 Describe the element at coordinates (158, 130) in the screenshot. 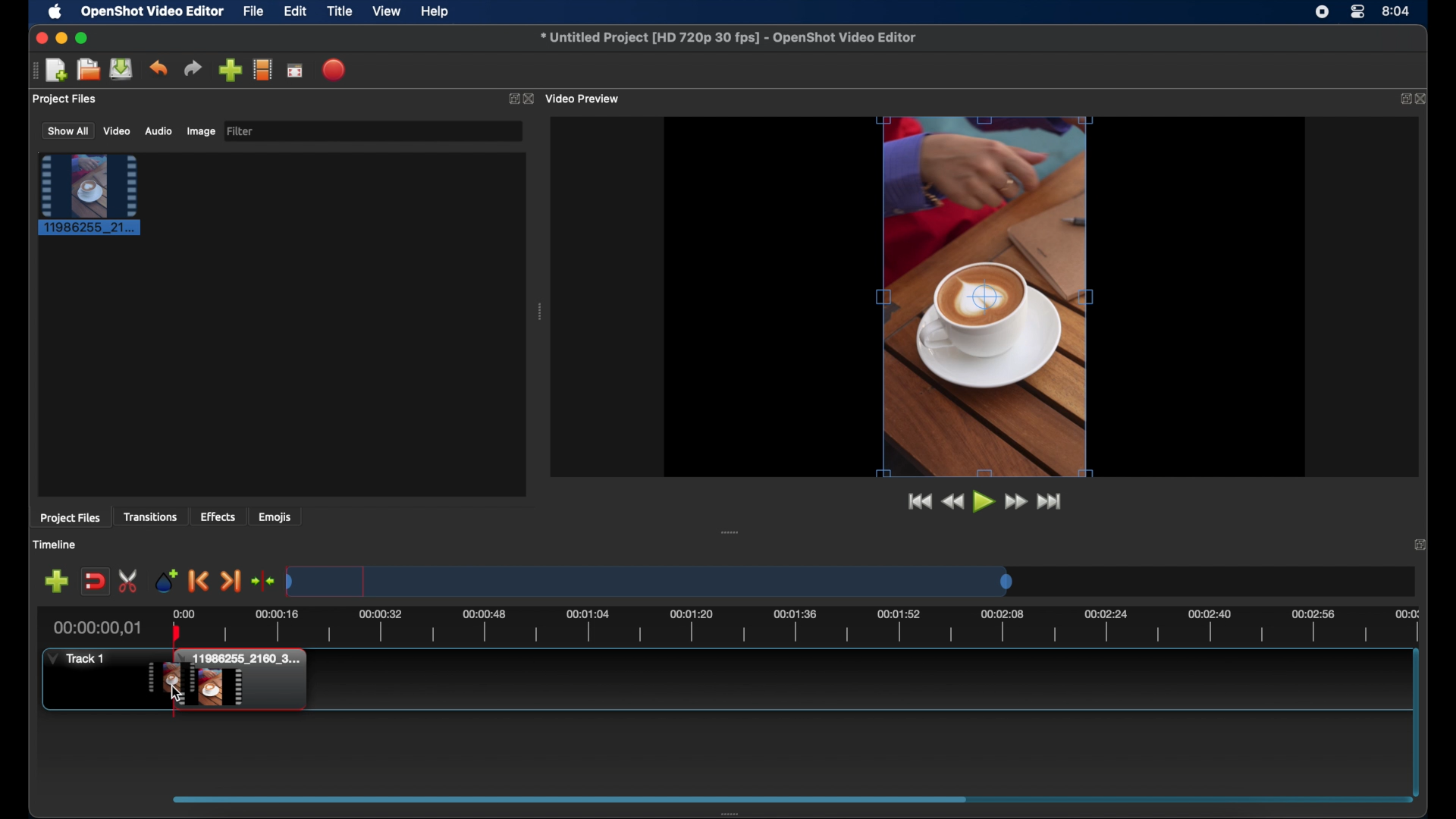

I see `audio` at that location.